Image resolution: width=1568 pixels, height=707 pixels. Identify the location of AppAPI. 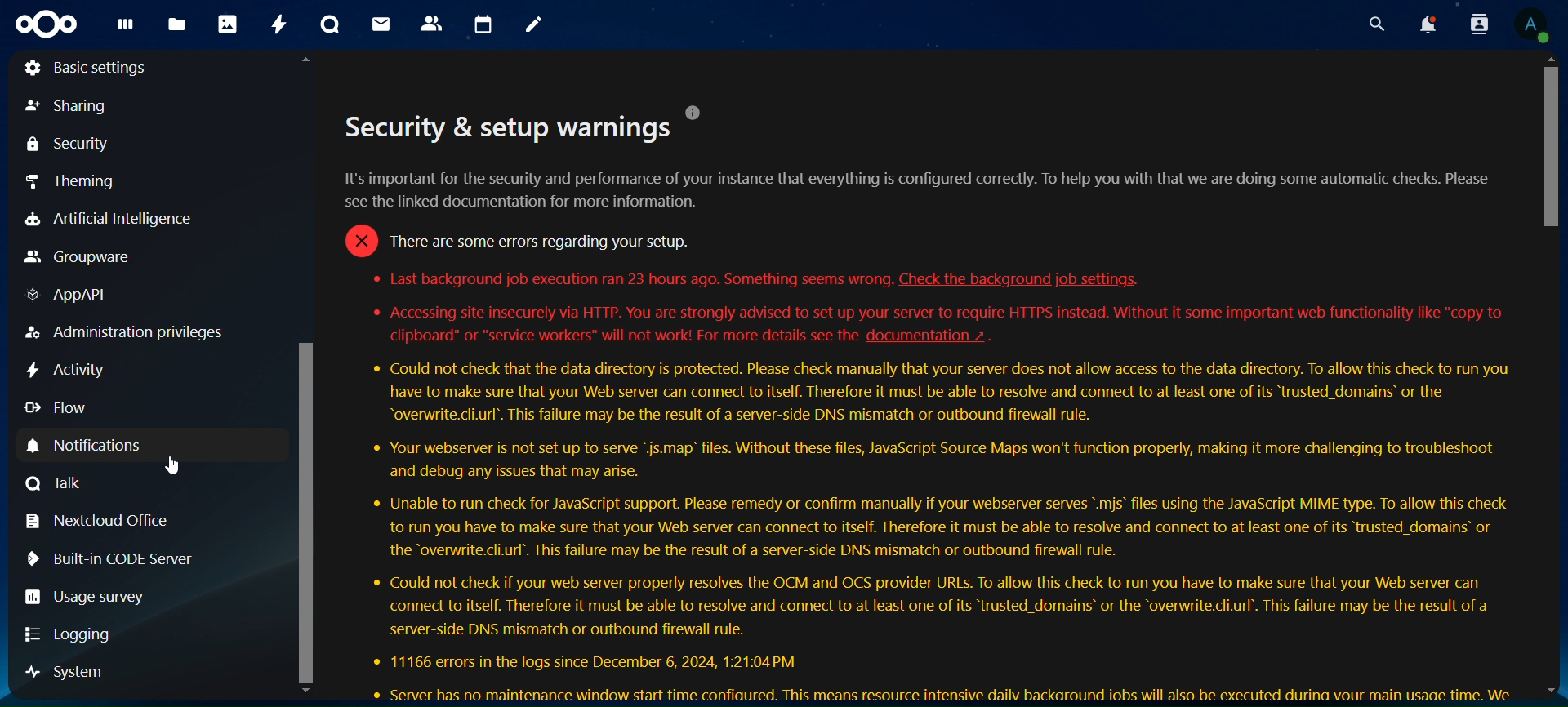
(73, 296).